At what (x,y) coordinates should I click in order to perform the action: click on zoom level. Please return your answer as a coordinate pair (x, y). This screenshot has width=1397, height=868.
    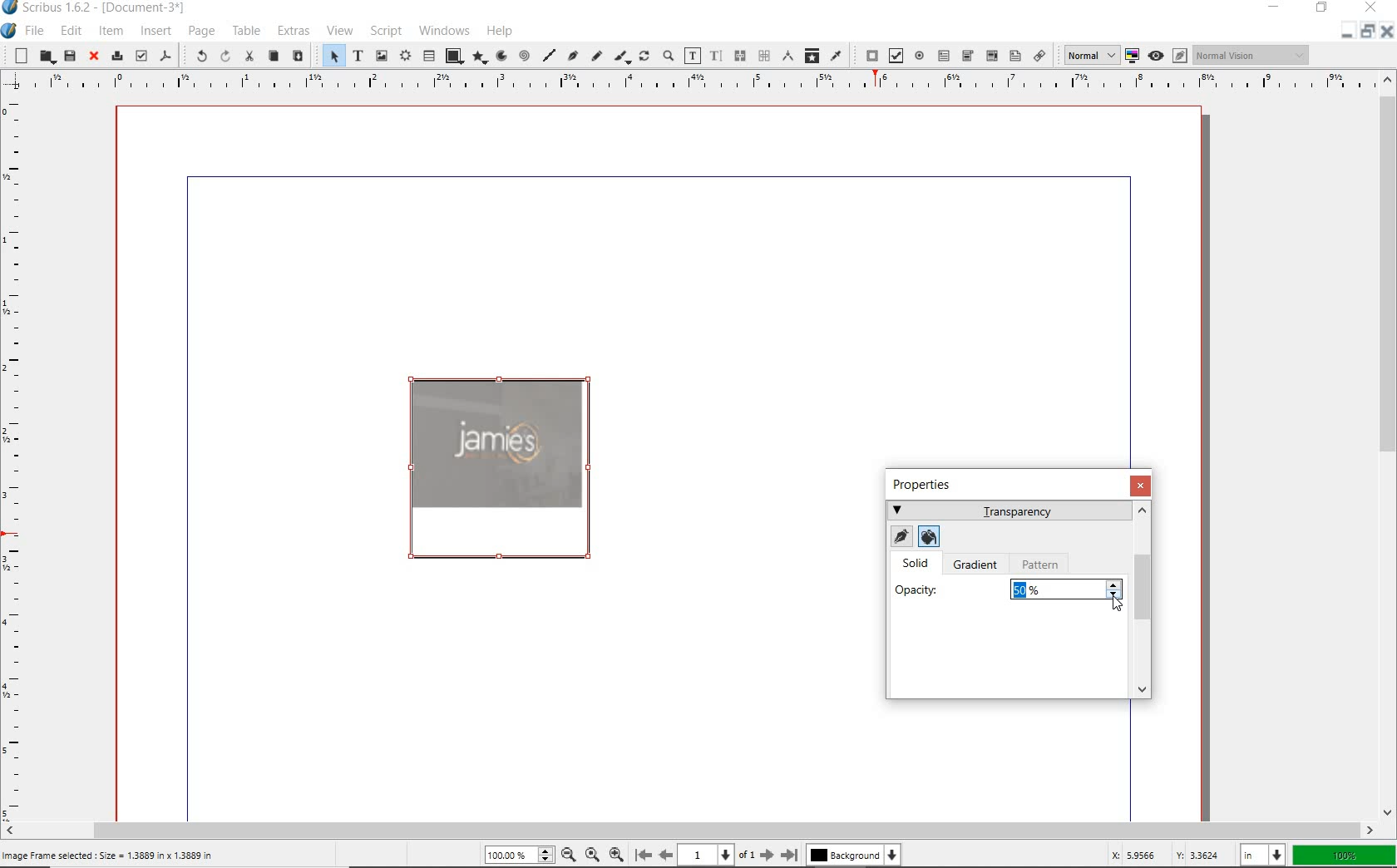
    Looking at the image, I should click on (514, 856).